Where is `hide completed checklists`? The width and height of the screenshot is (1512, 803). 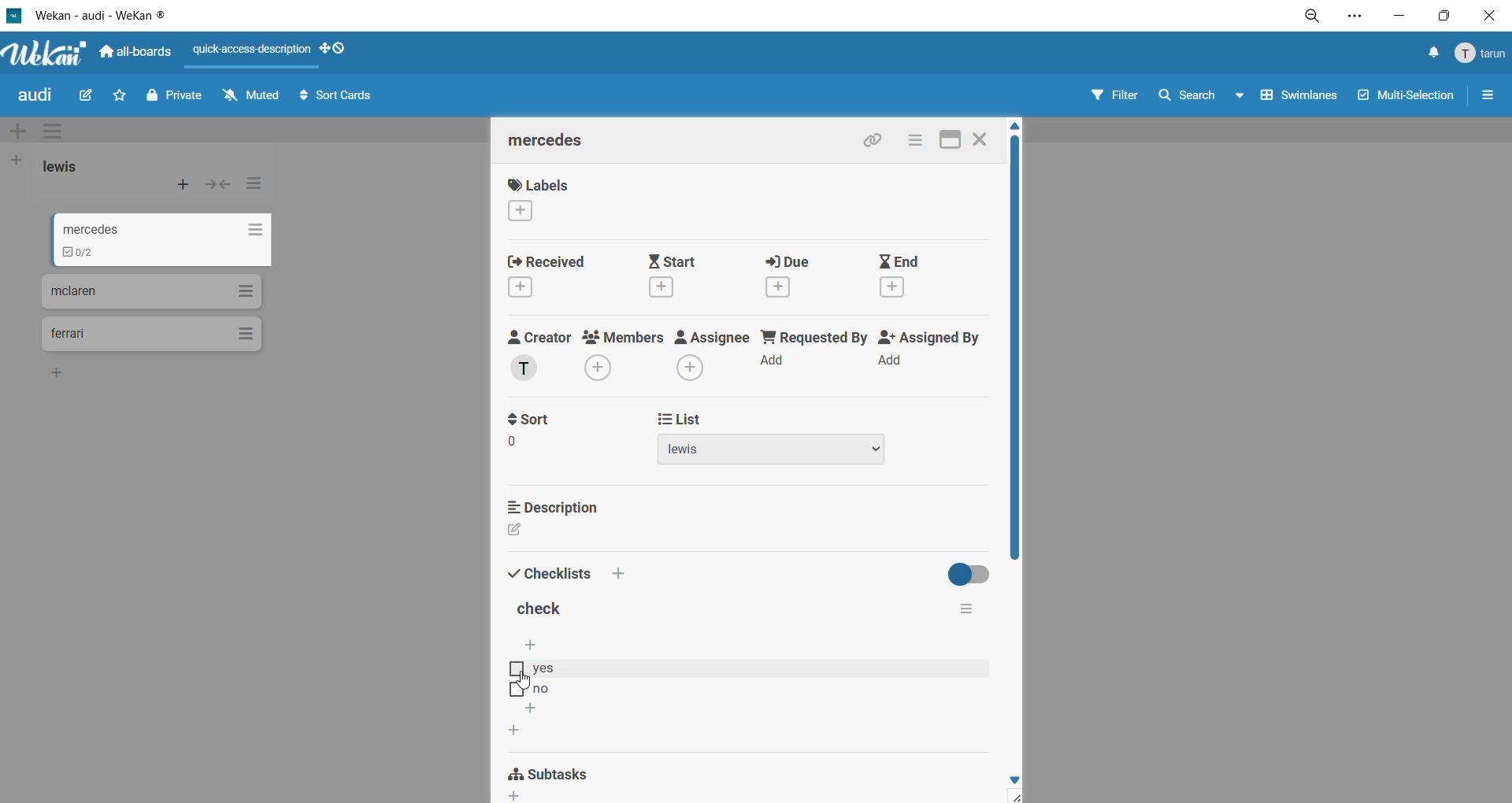 hide completed checklists is located at coordinates (974, 573).